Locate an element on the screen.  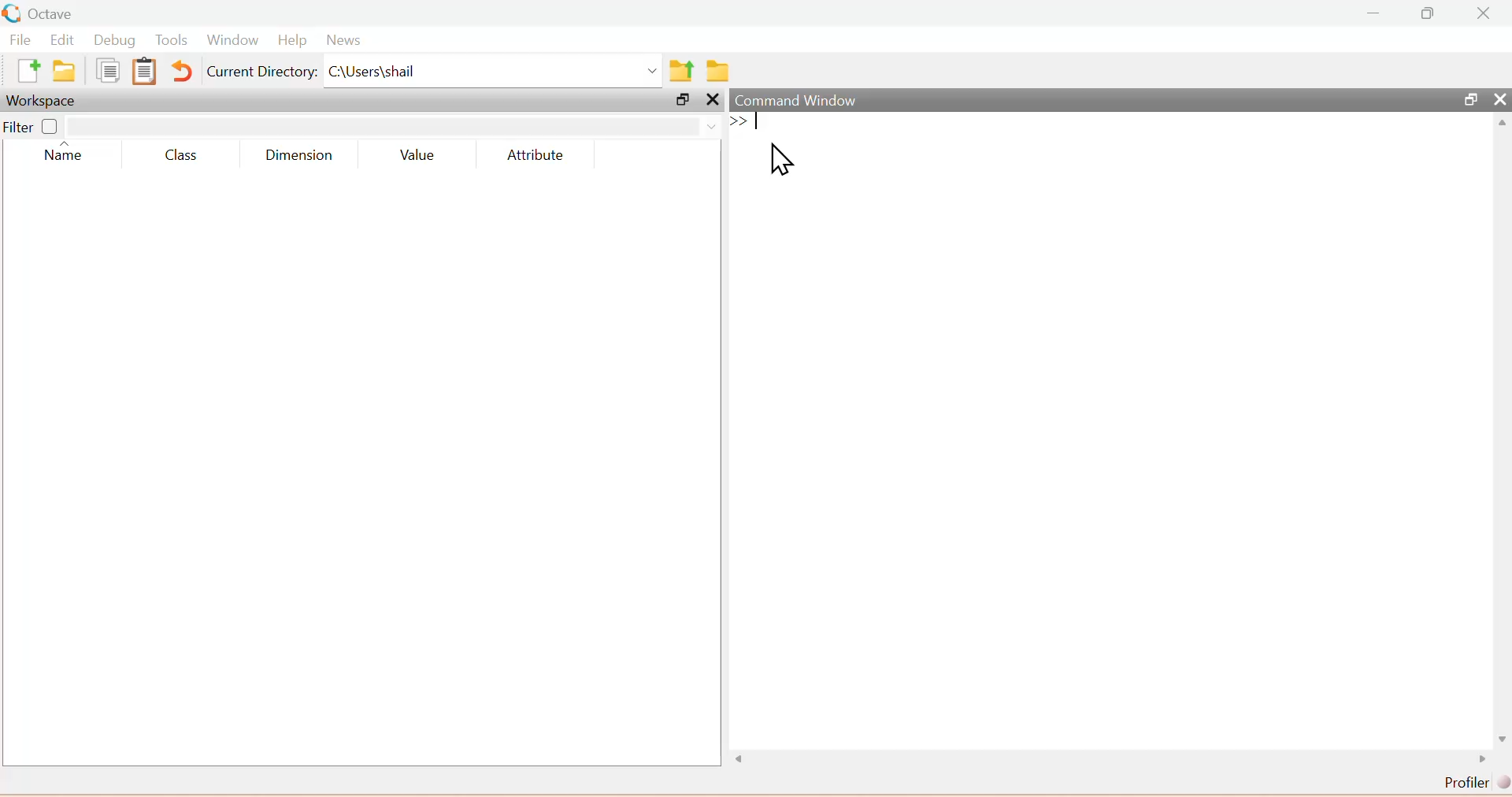
 is located at coordinates (713, 99).